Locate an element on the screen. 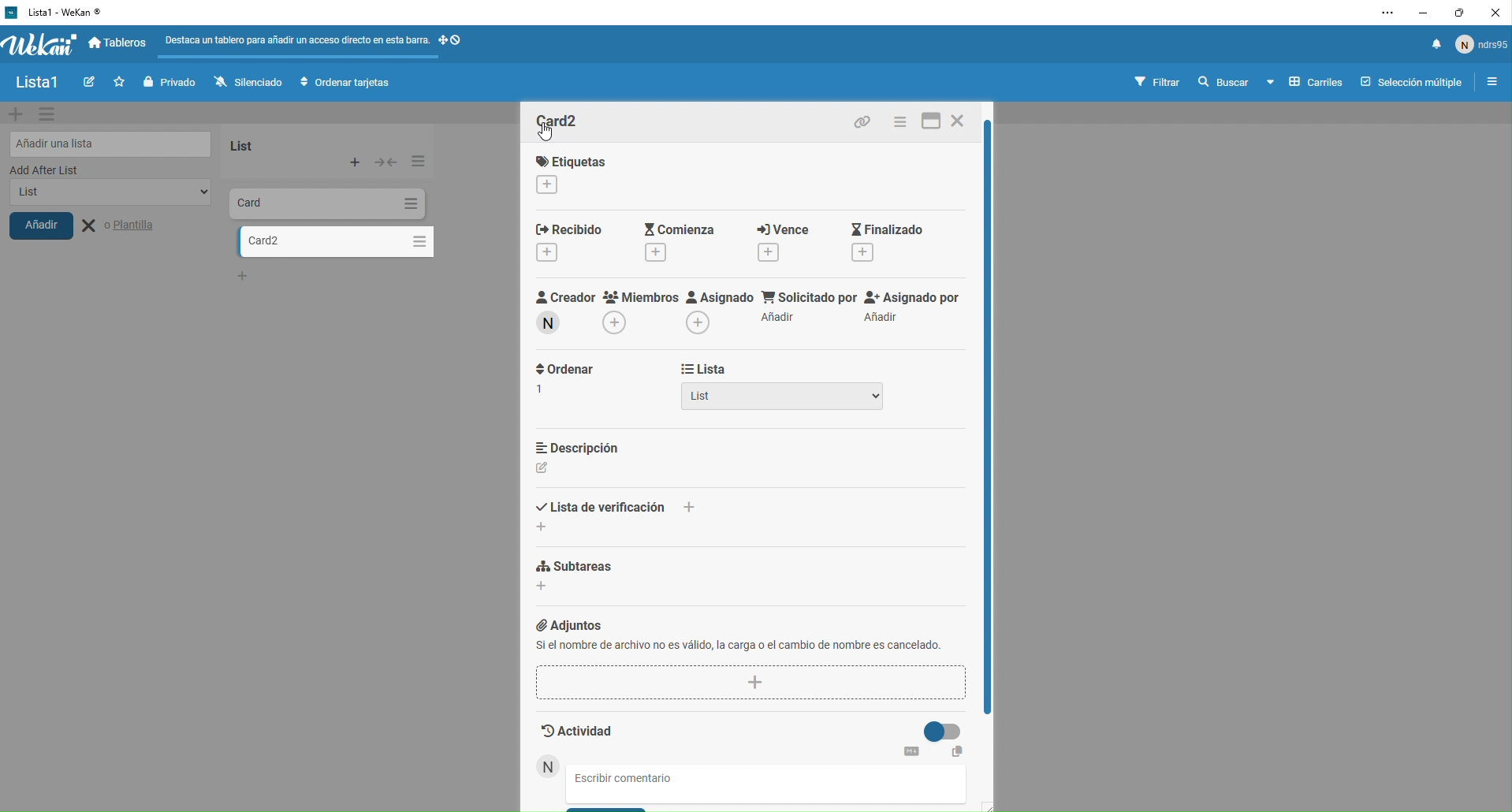 The height and width of the screenshot is (812, 1512). menu is located at coordinates (901, 121).